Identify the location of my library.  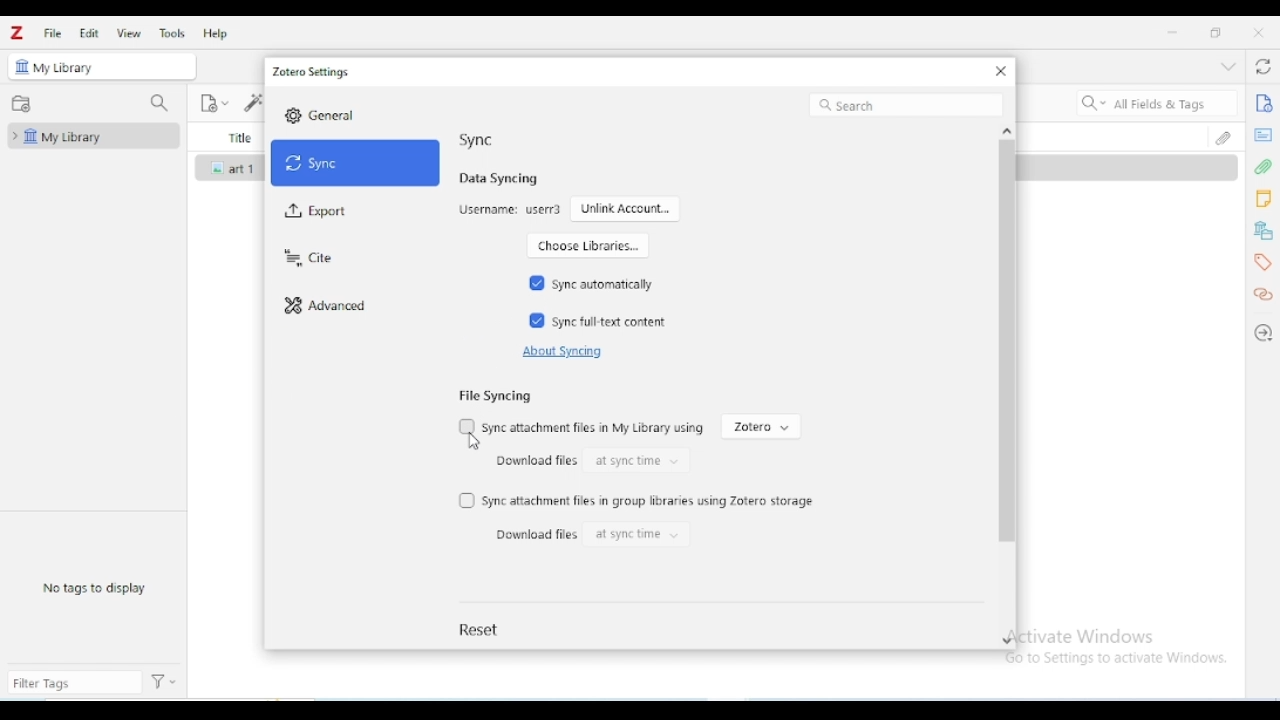
(66, 68).